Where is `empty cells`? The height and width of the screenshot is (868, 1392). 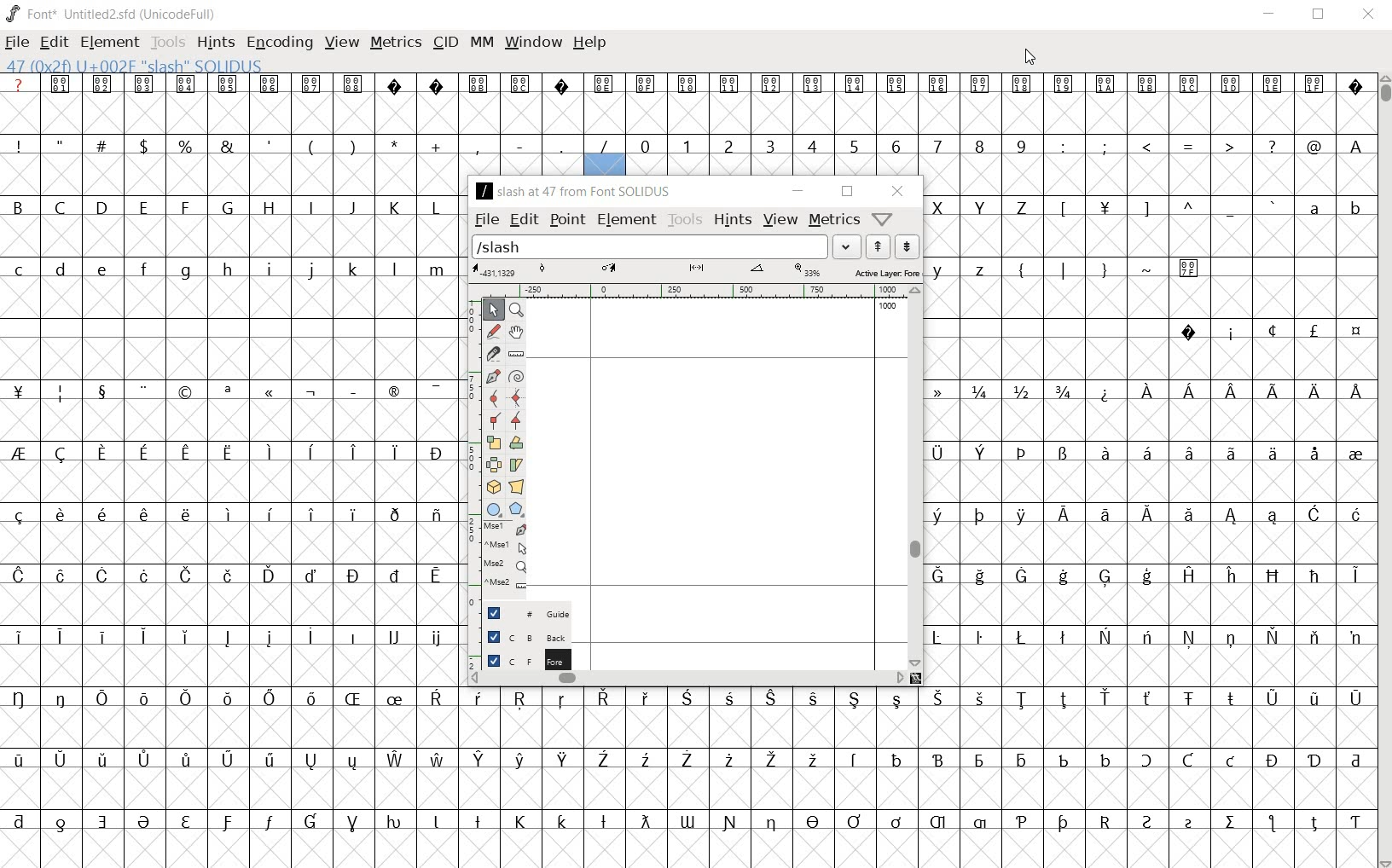
empty cells is located at coordinates (1149, 176).